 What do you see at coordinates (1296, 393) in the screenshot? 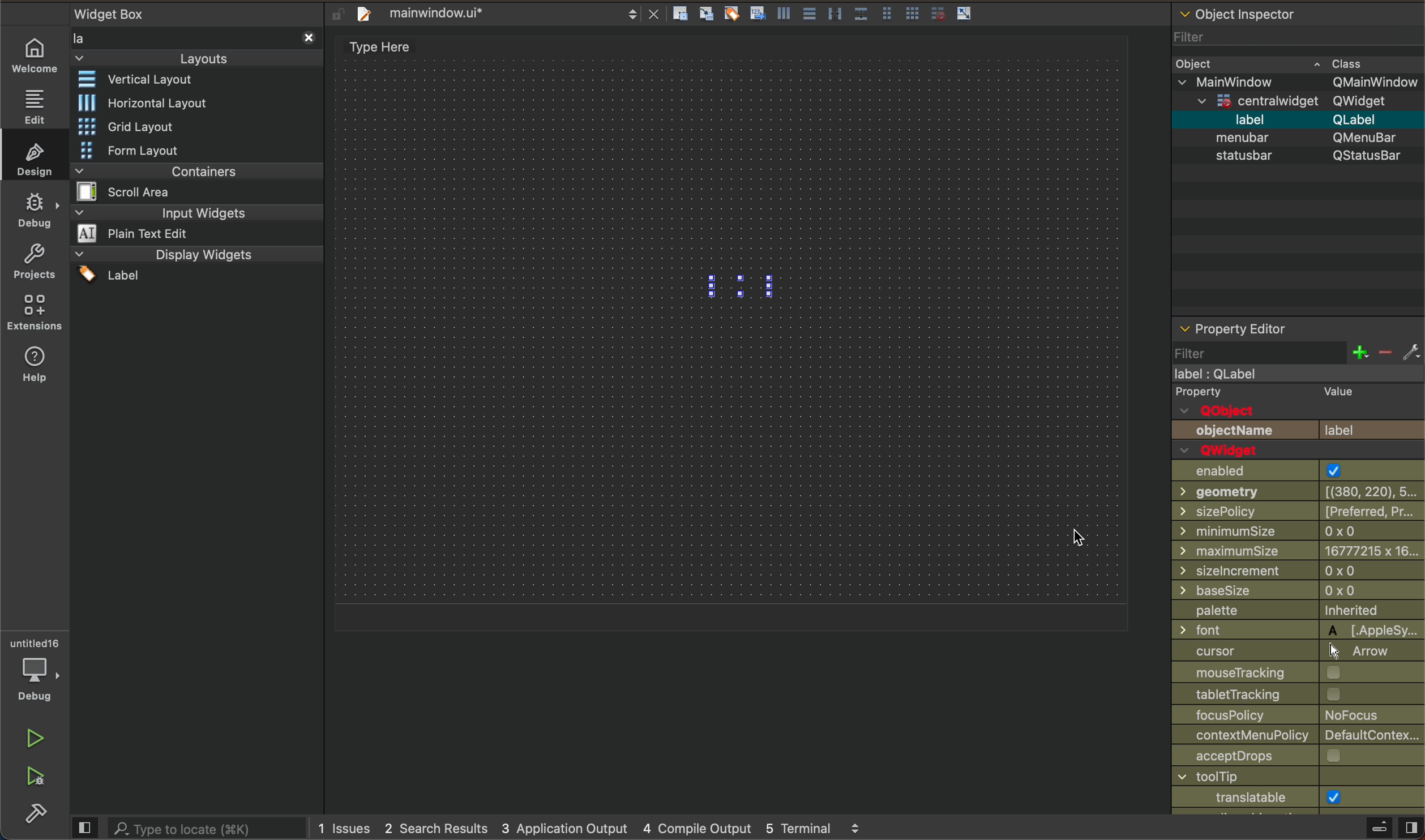
I see `property` at bounding box center [1296, 393].